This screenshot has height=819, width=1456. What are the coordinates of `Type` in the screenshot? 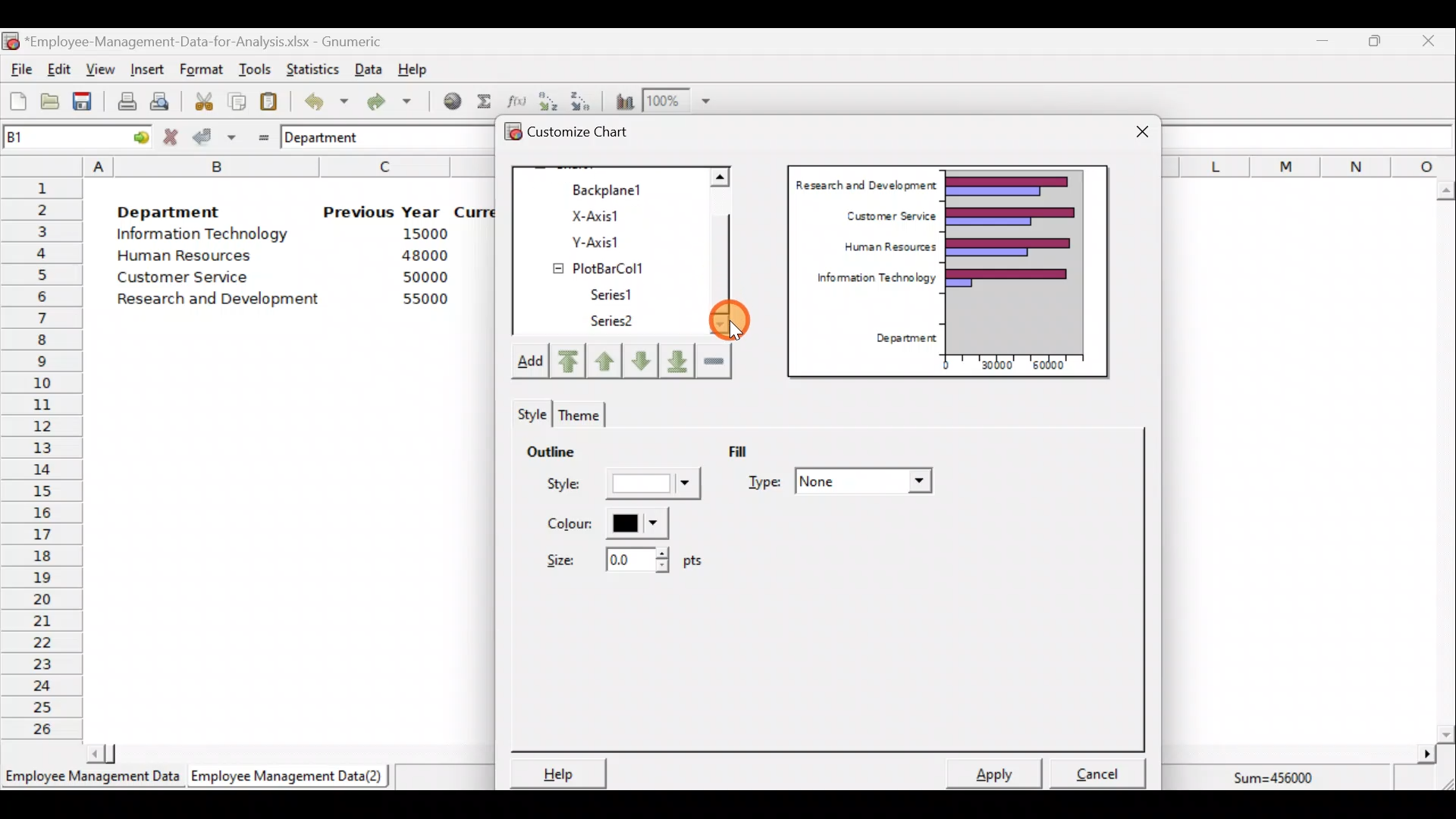 It's located at (843, 483).